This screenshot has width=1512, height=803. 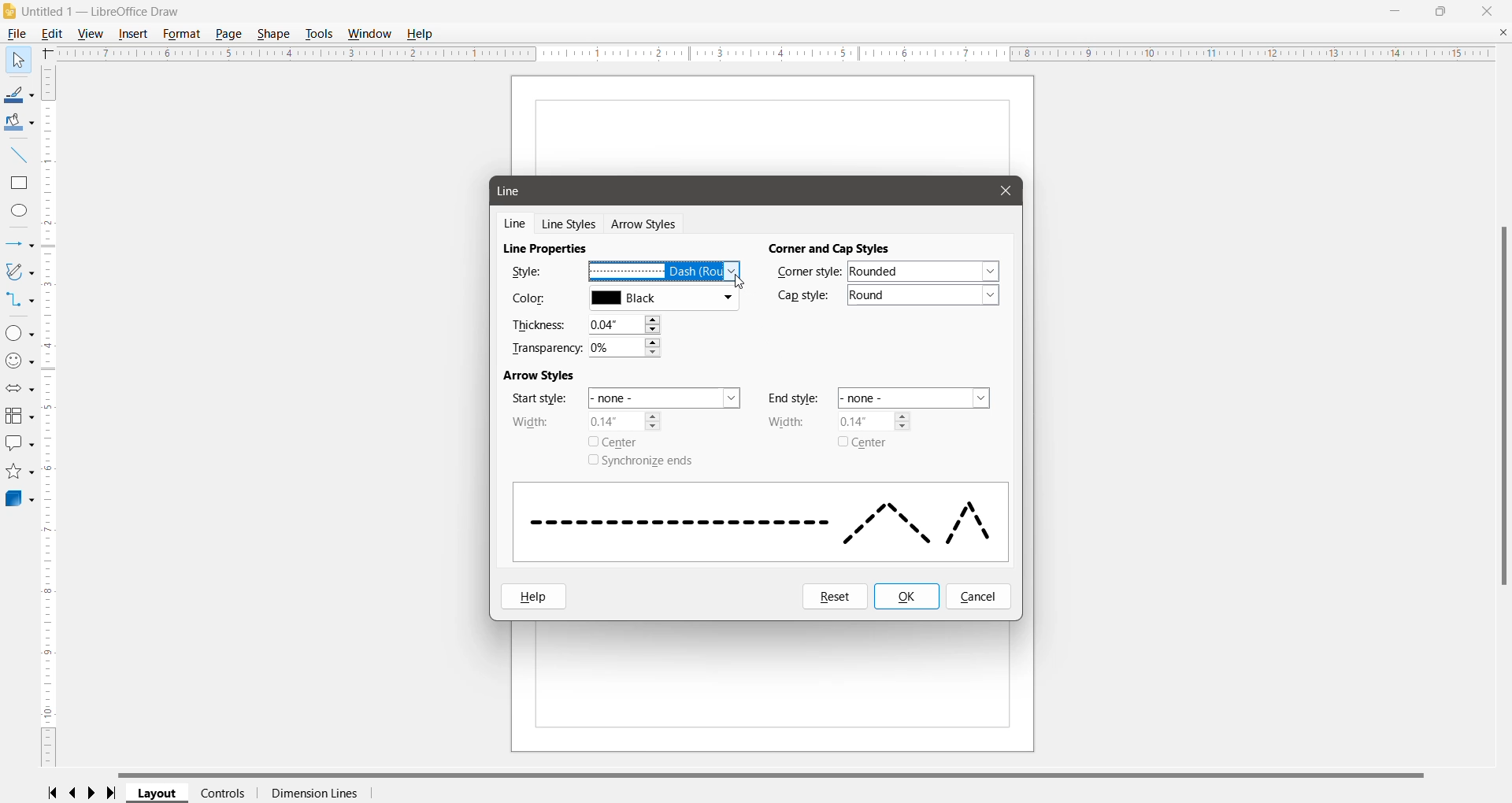 What do you see at coordinates (19, 271) in the screenshot?
I see `Curves and Polygons` at bounding box center [19, 271].